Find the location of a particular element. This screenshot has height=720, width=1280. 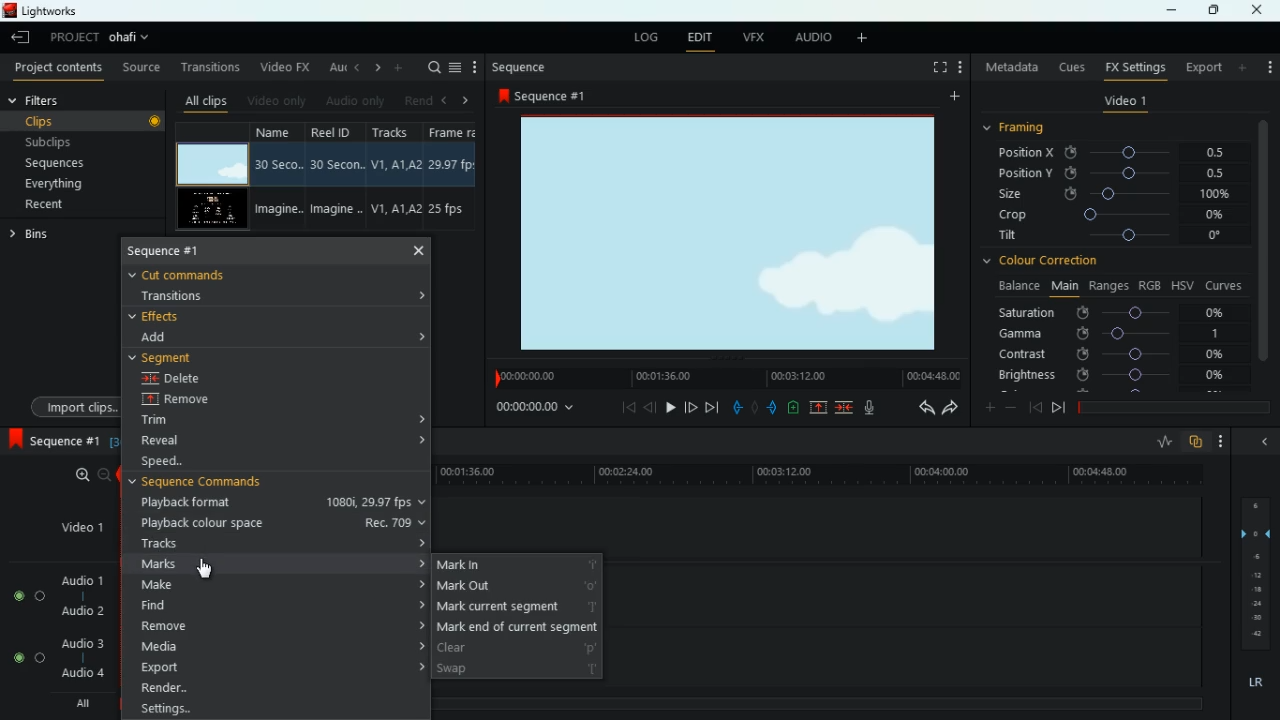

battery is located at coordinates (793, 409).